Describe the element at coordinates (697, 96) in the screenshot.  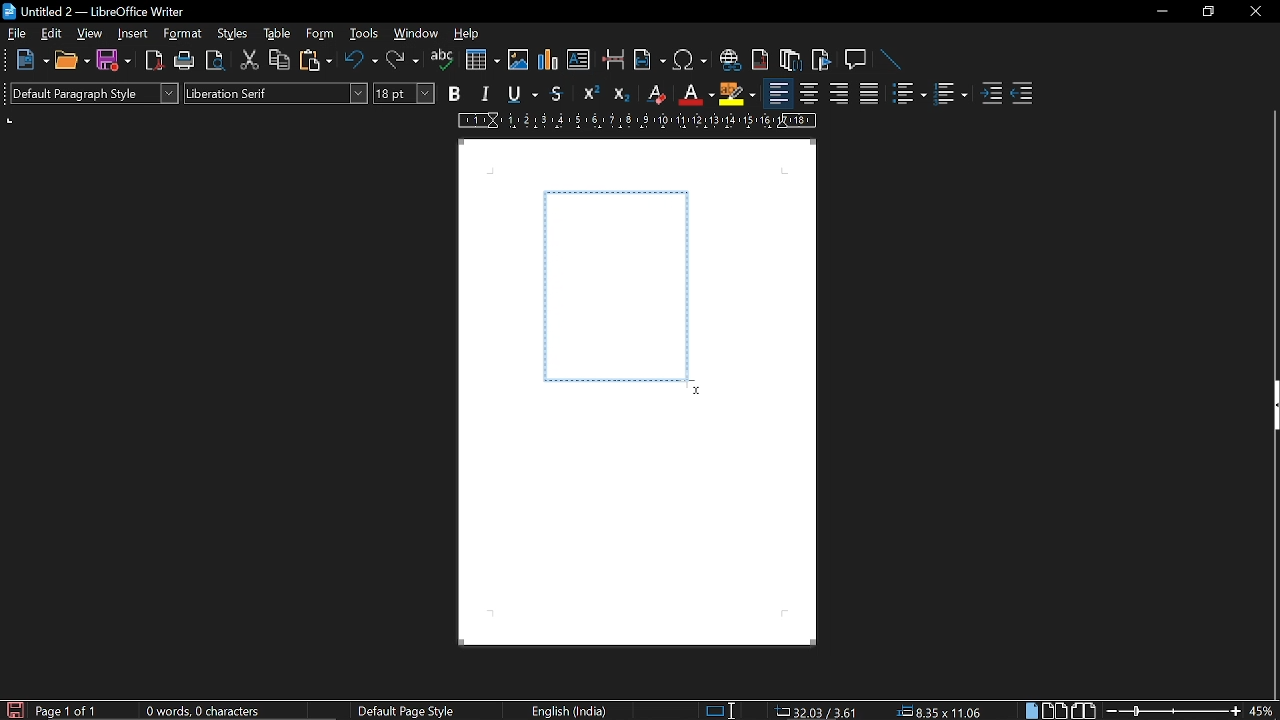
I see `font color` at that location.